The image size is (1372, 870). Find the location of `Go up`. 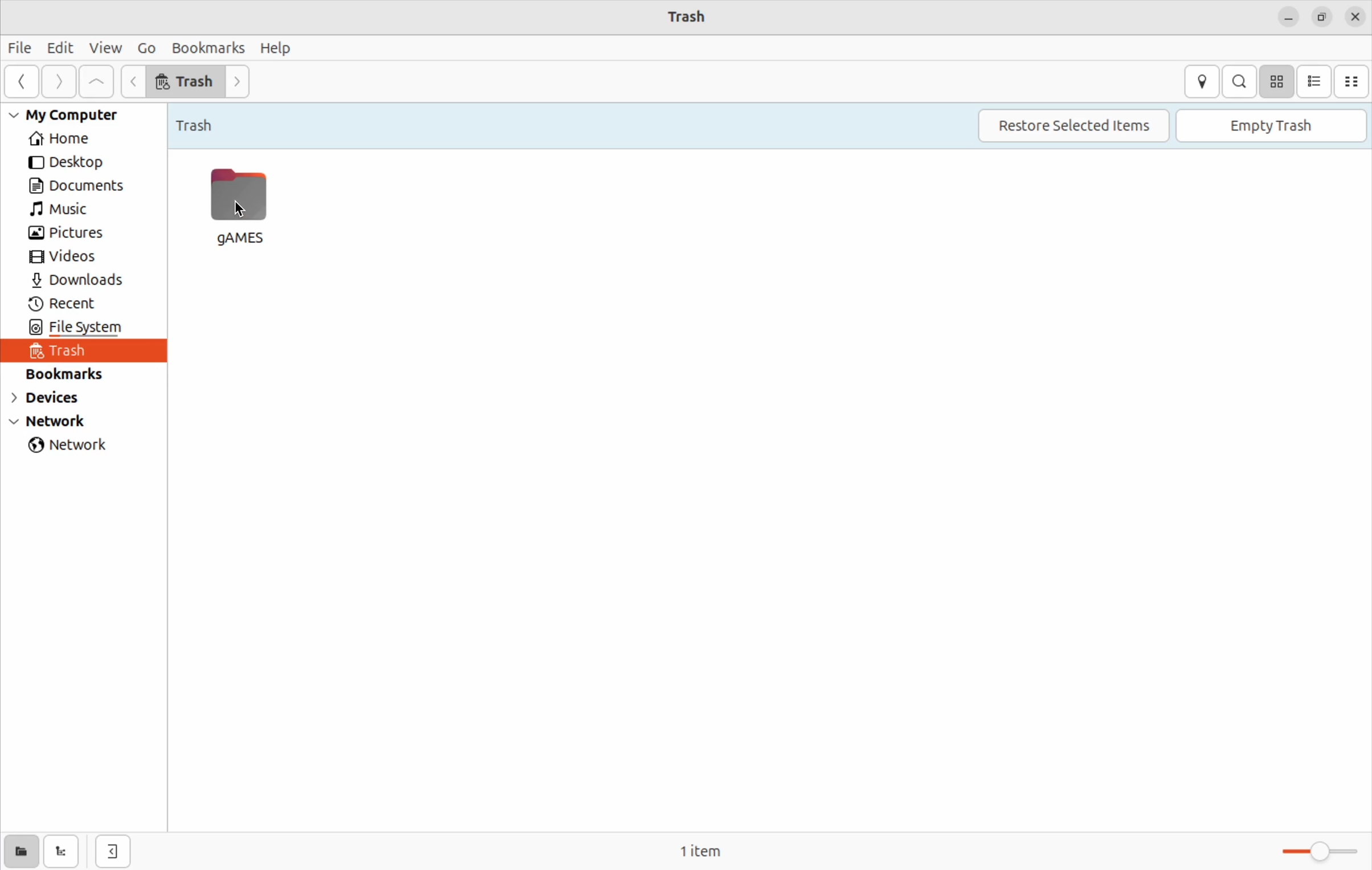

Go up is located at coordinates (97, 82).